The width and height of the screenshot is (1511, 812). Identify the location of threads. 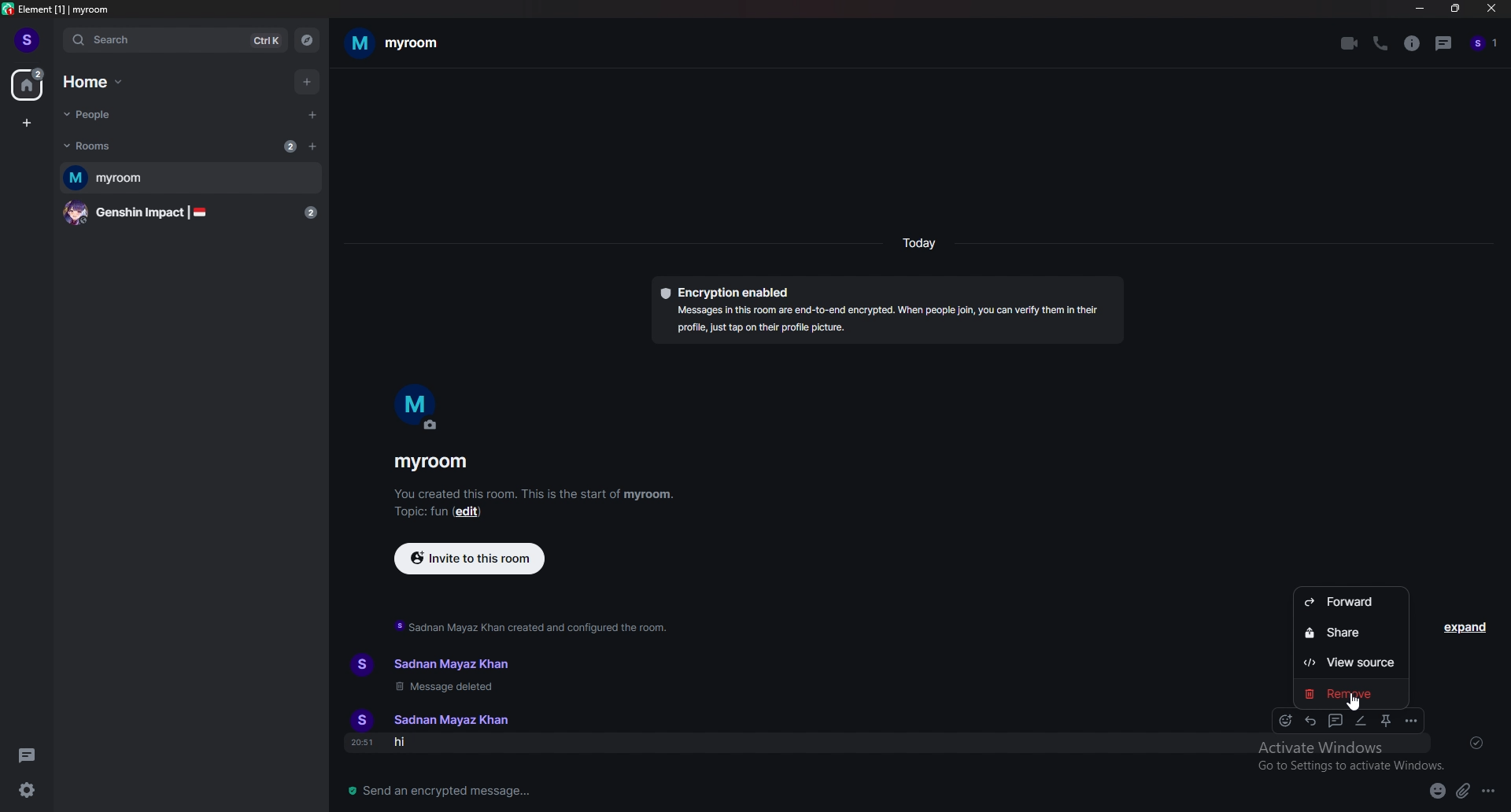
(1445, 42).